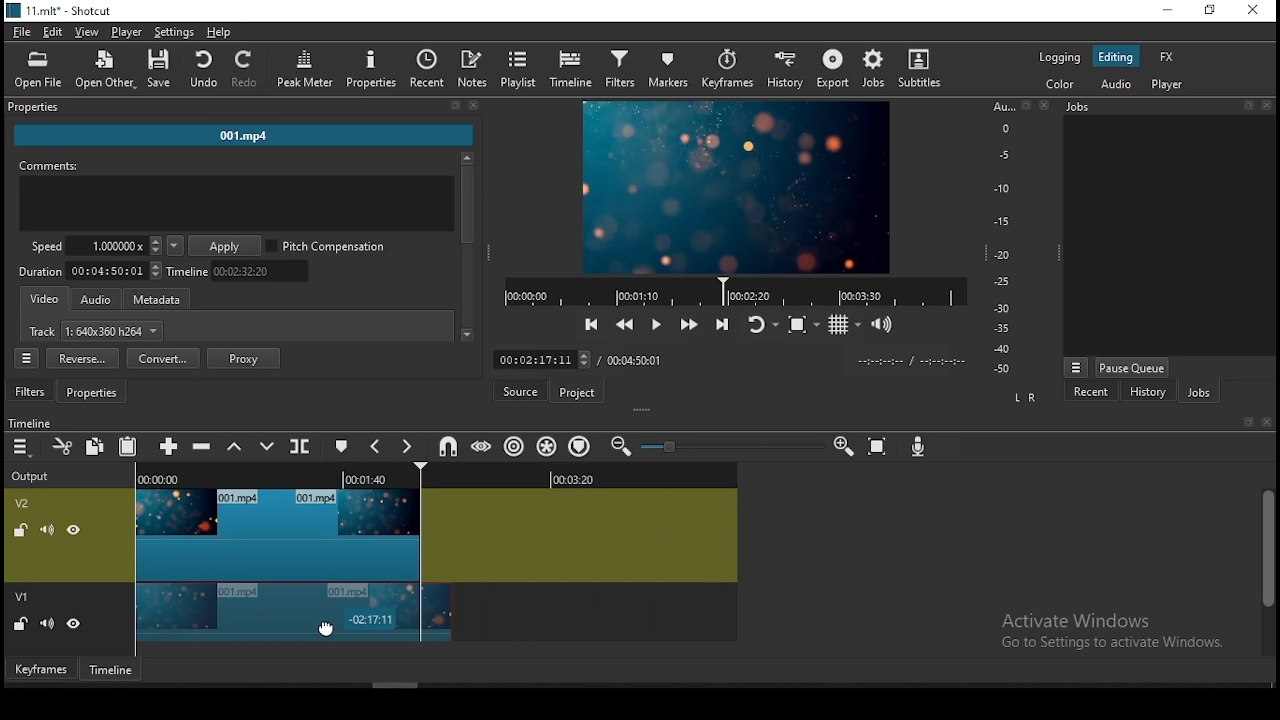 This screenshot has height=720, width=1280. I want to click on TIMELINE, so click(438, 475).